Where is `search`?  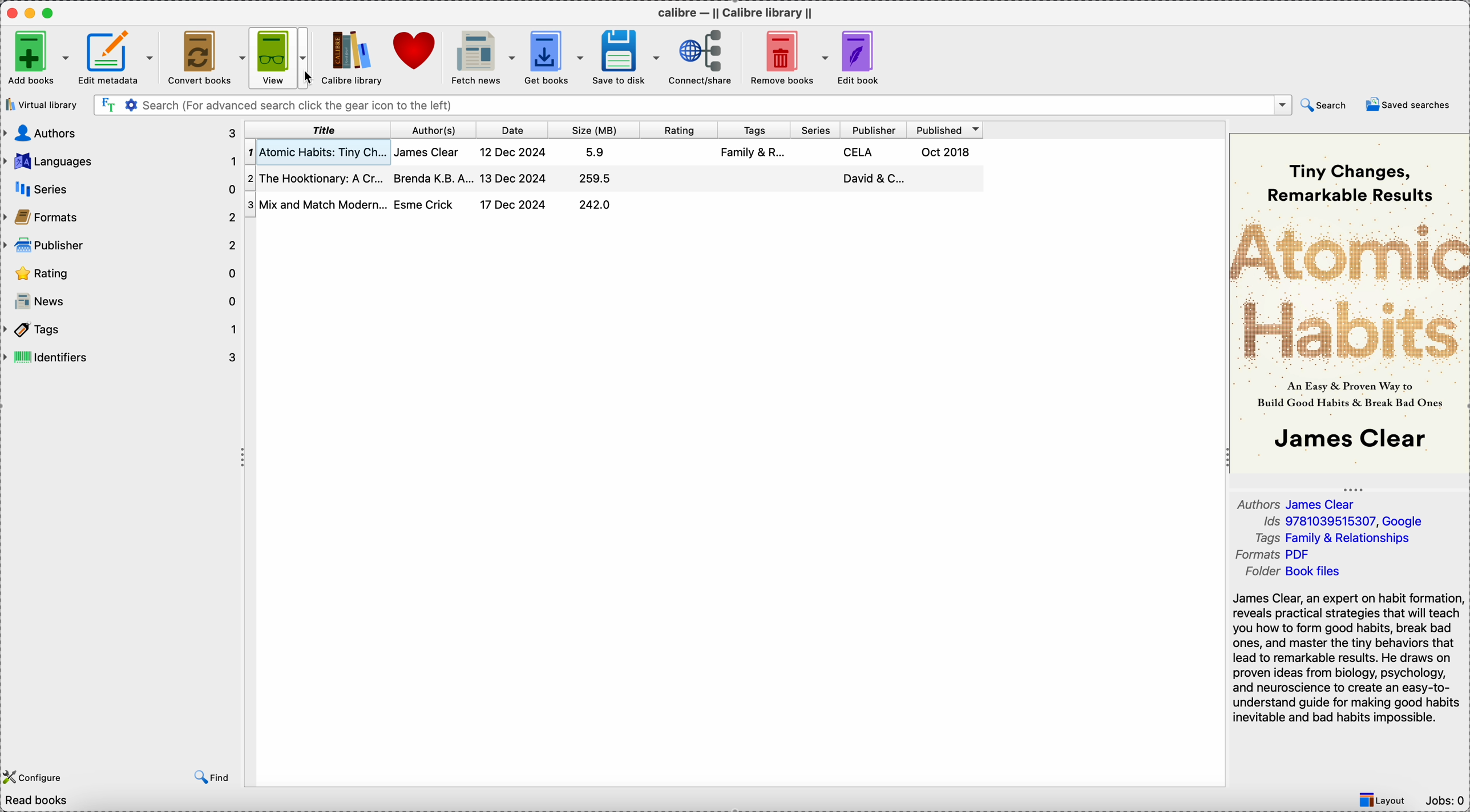
search is located at coordinates (1326, 105).